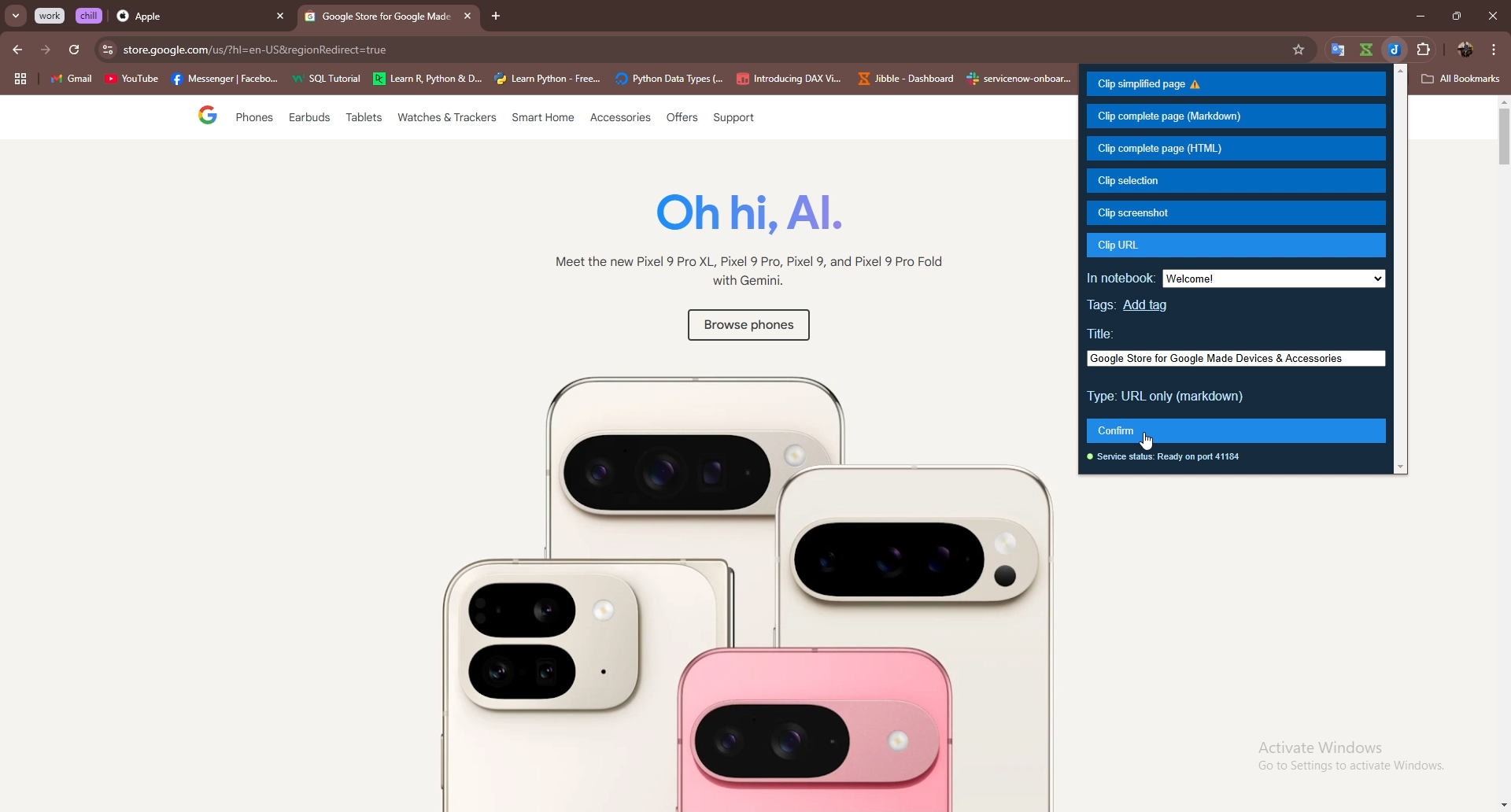 The height and width of the screenshot is (812, 1511). What do you see at coordinates (331, 80) in the screenshot?
I see `SQL Tutorial` at bounding box center [331, 80].